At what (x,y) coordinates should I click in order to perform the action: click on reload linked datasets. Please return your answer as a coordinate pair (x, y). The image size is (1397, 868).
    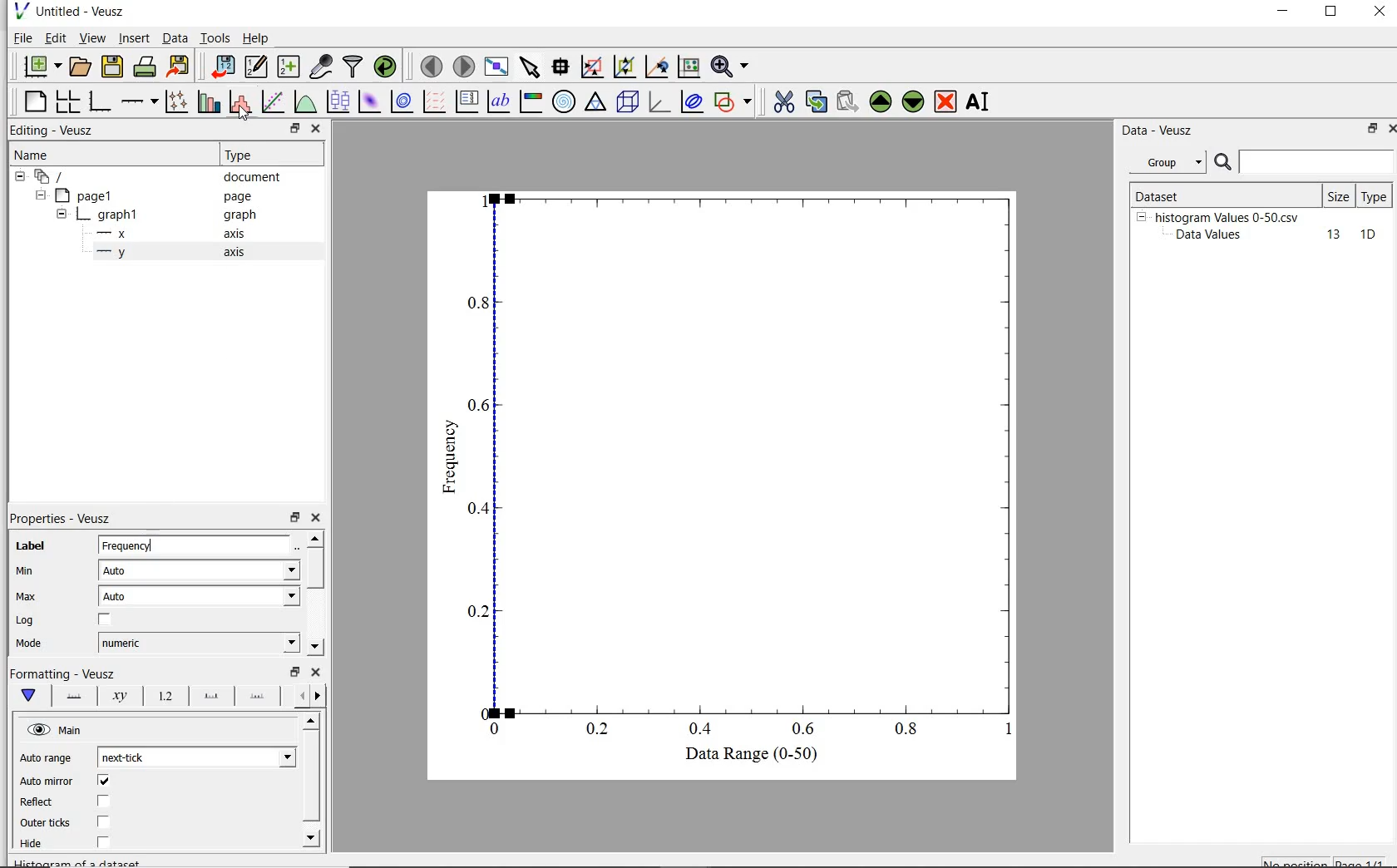
    Looking at the image, I should click on (388, 67).